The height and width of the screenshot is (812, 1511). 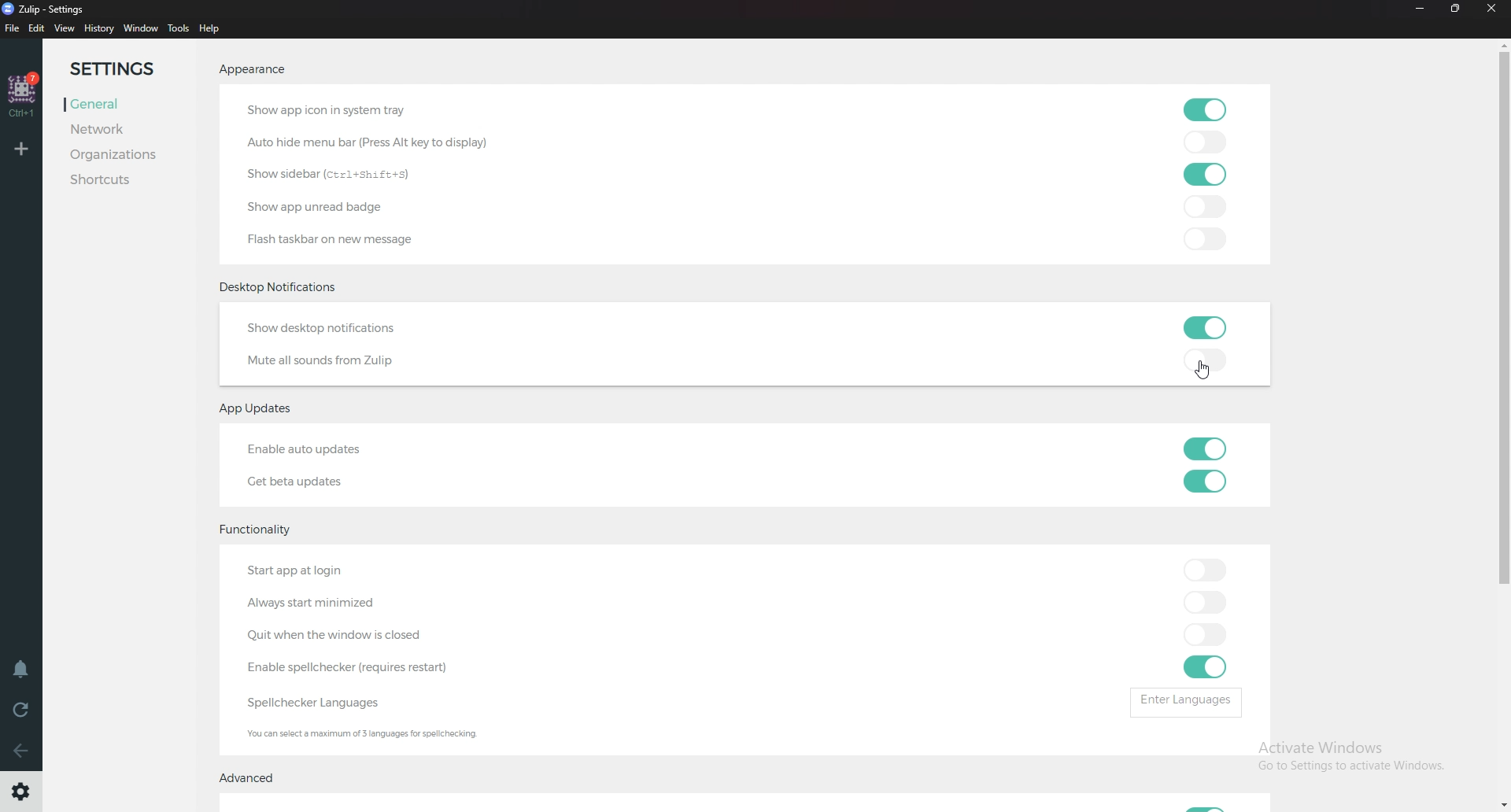 What do you see at coordinates (91, 105) in the screenshot?
I see `General` at bounding box center [91, 105].